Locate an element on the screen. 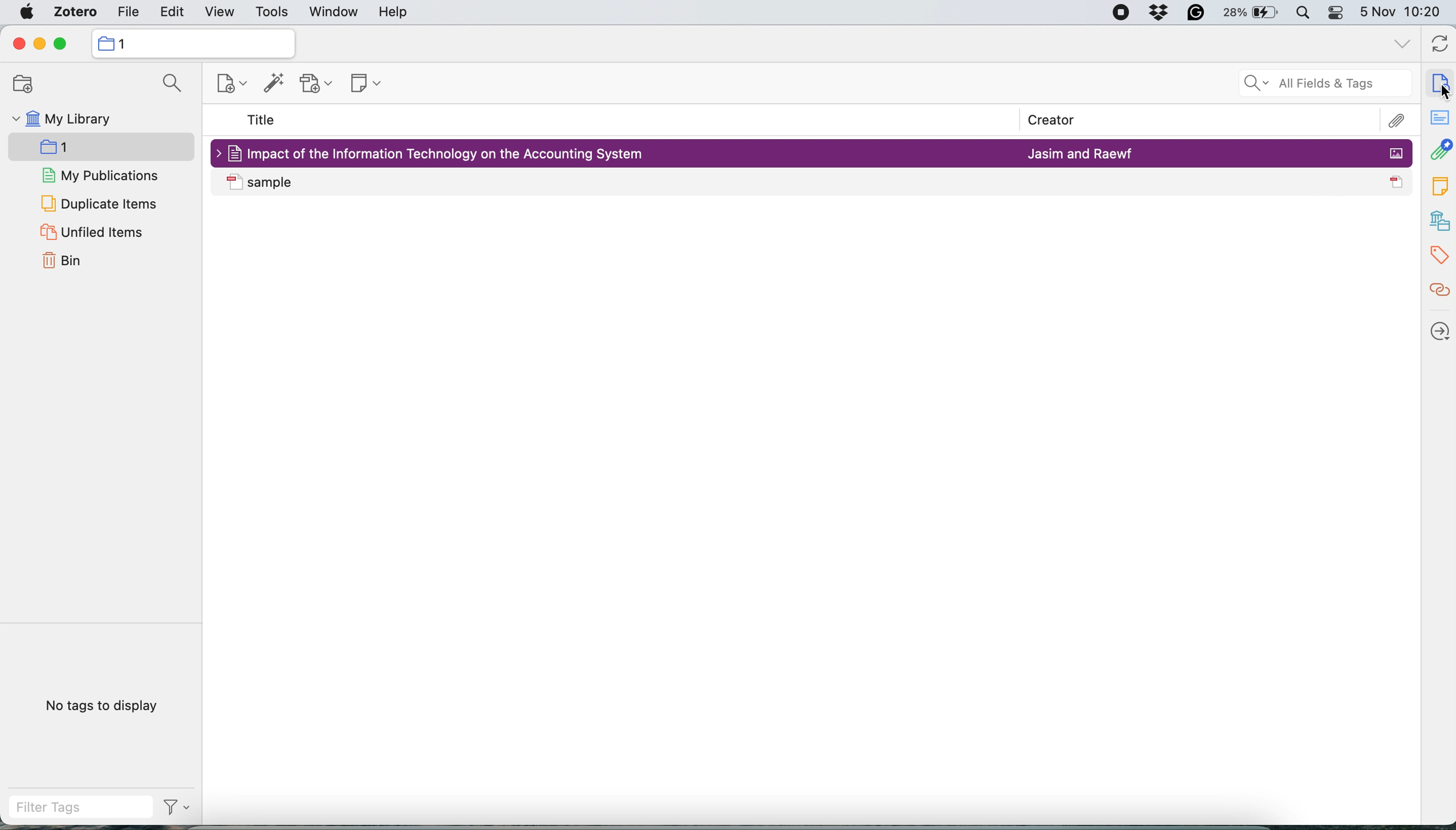  unfiled items is located at coordinates (92, 232).